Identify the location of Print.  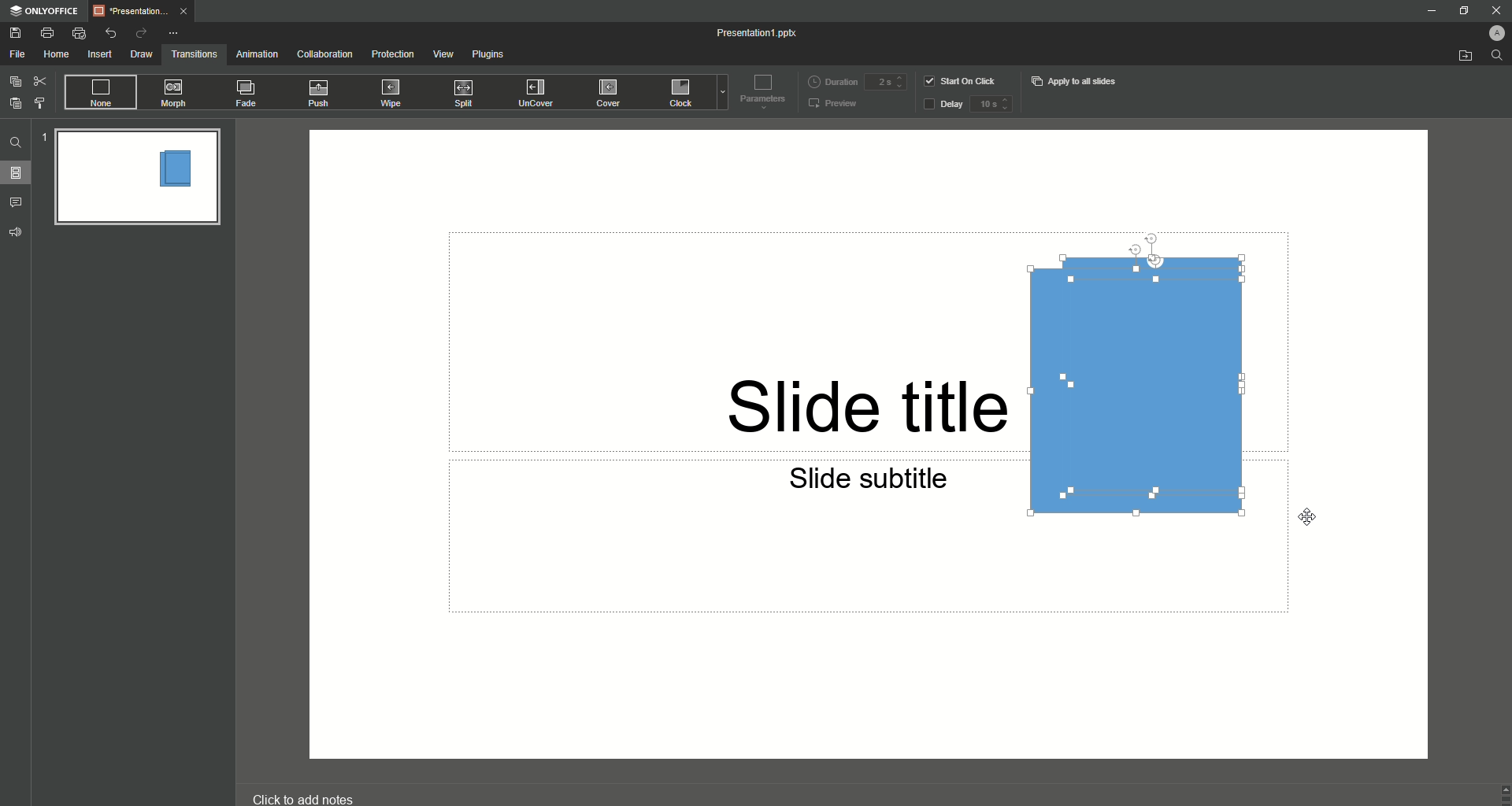
(47, 32).